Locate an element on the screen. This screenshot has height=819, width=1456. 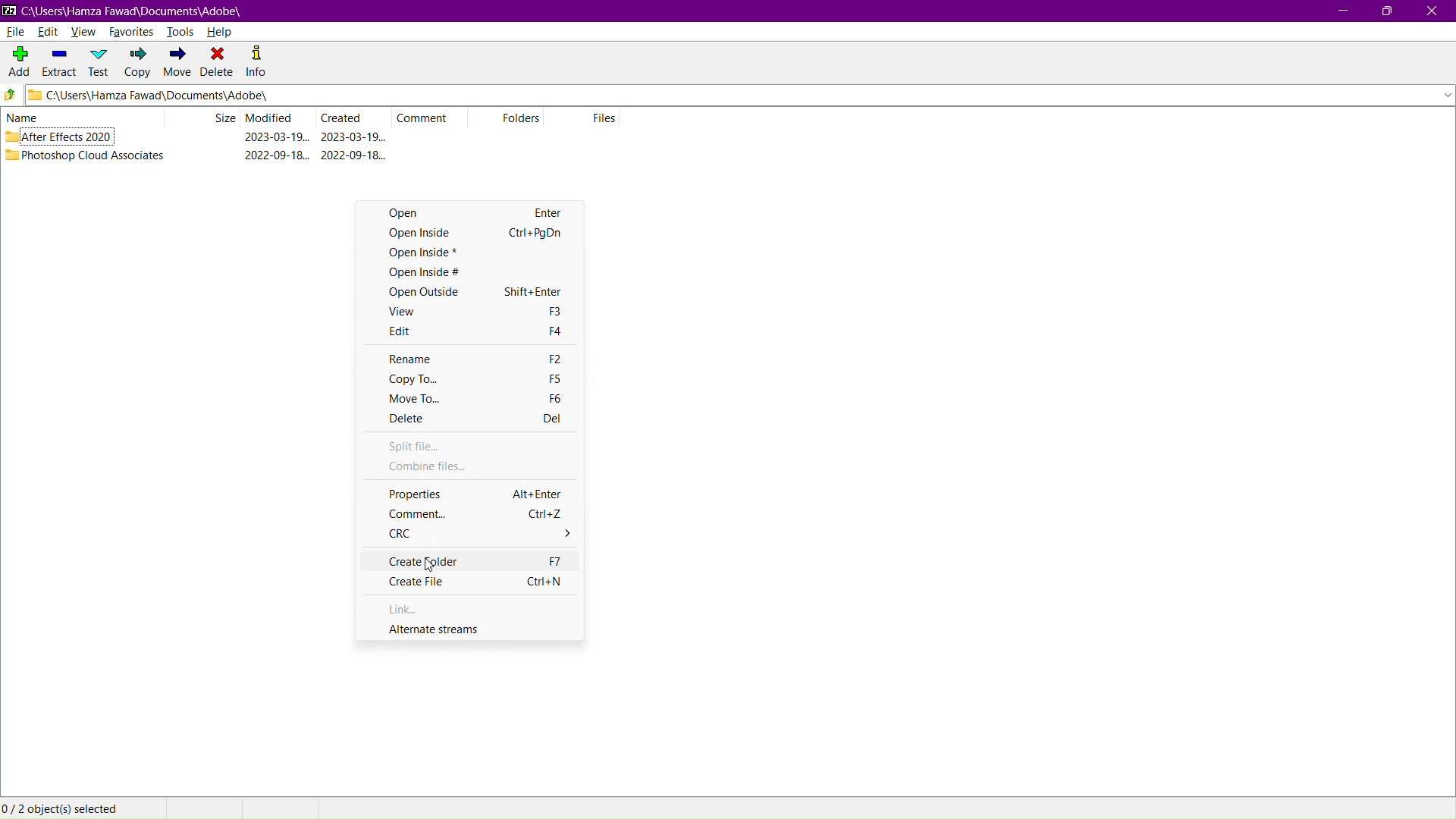
Favorites is located at coordinates (133, 30).